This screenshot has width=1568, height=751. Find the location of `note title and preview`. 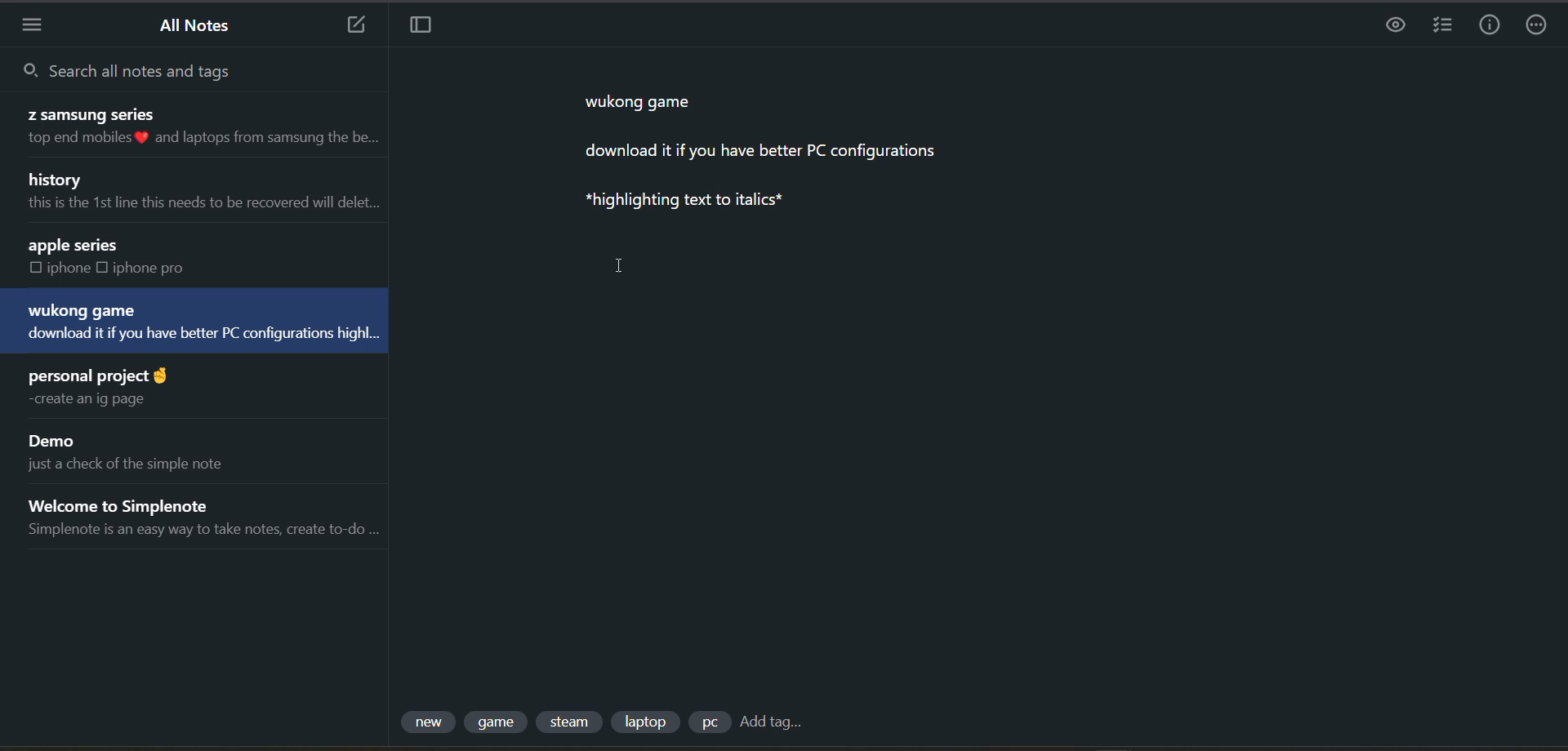

note title and preview is located at coordinates (198, 321).